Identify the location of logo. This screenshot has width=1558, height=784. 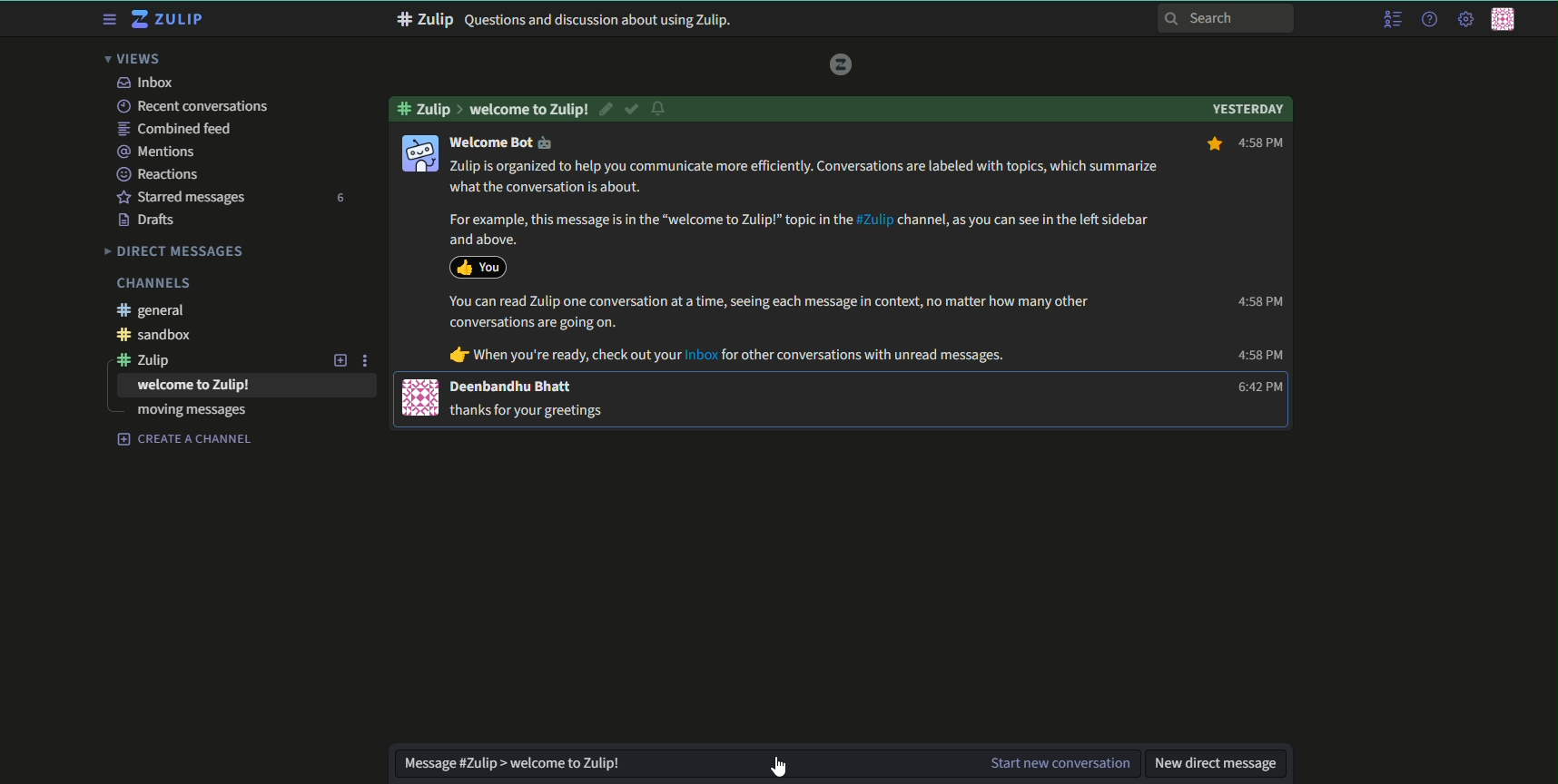
(842, 64).